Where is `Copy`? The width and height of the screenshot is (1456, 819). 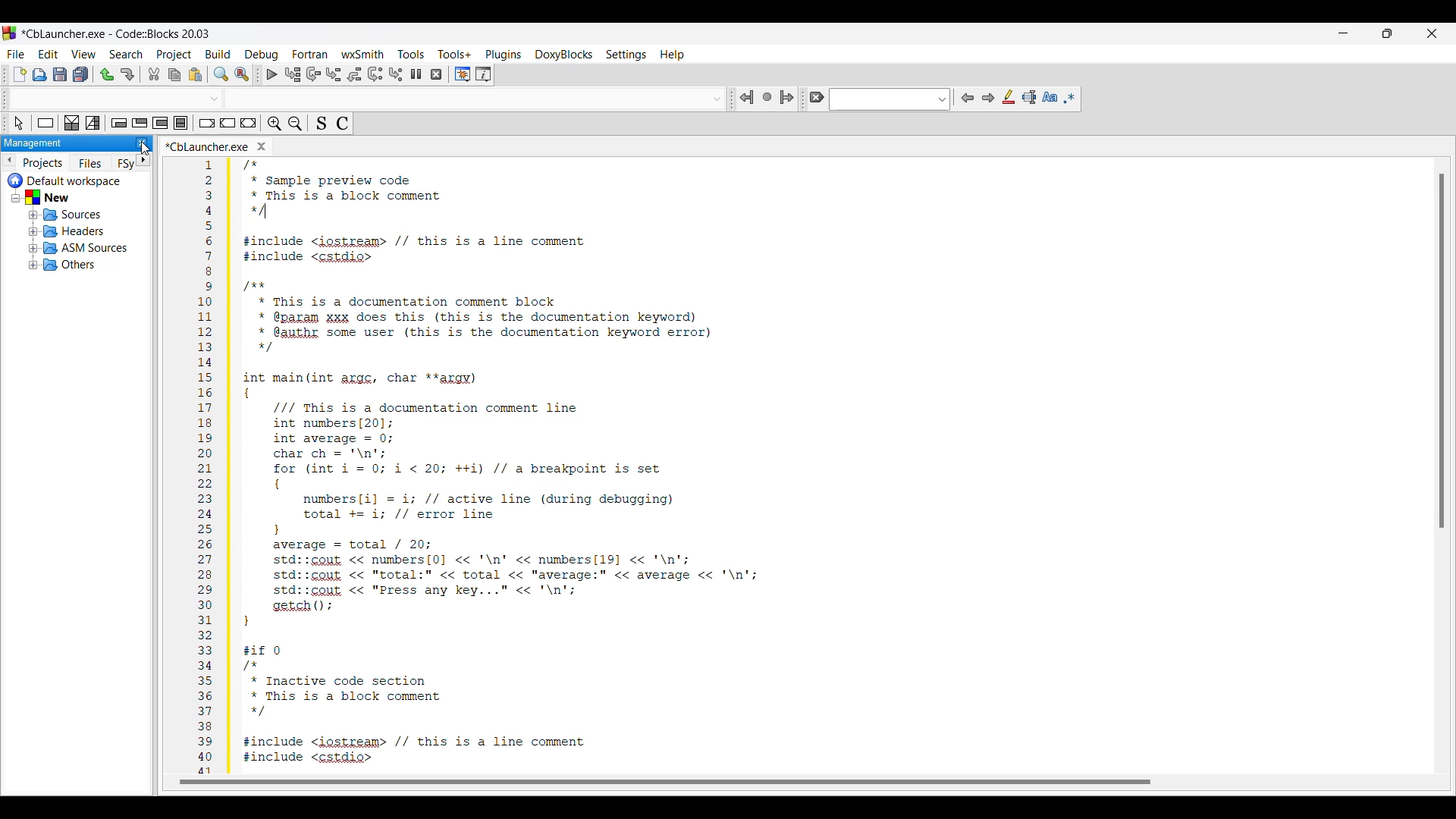 Copy is located at coordinates (174, 74).